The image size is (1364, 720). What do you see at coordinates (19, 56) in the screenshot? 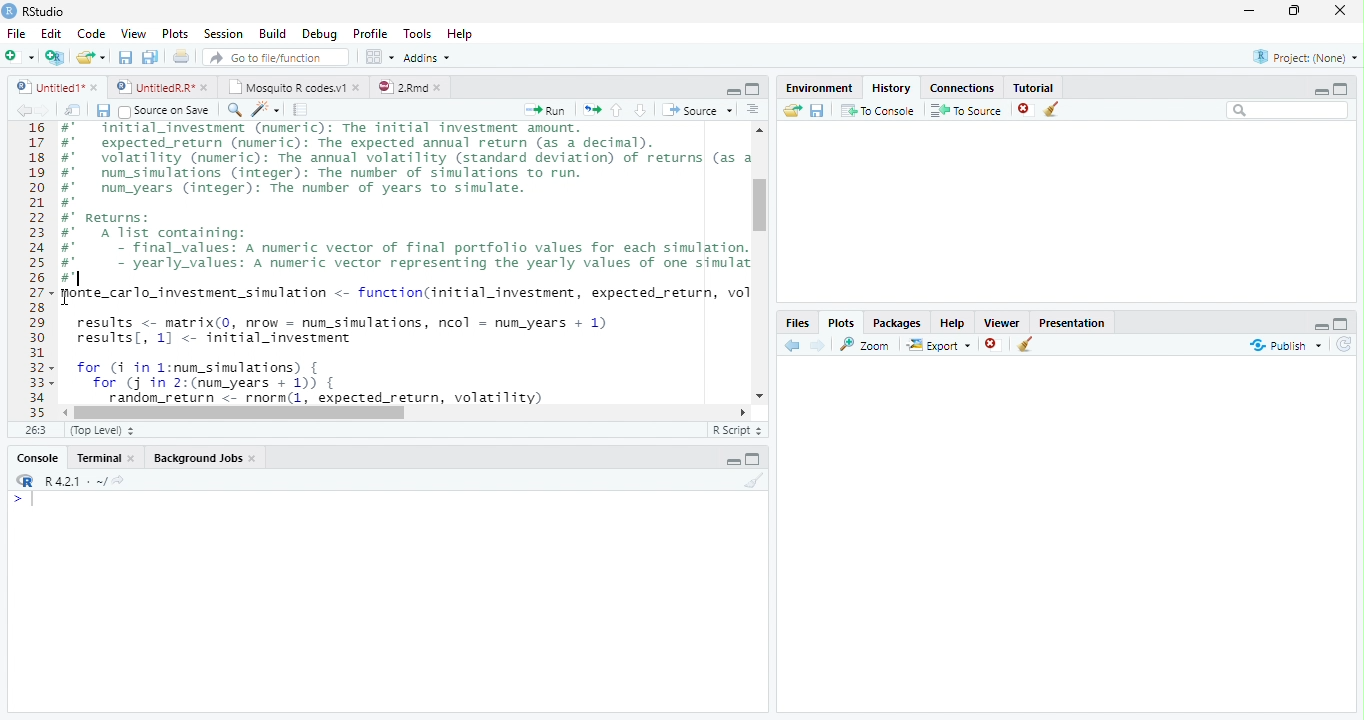
I see `Open new file` at bounding box center [19, 56].